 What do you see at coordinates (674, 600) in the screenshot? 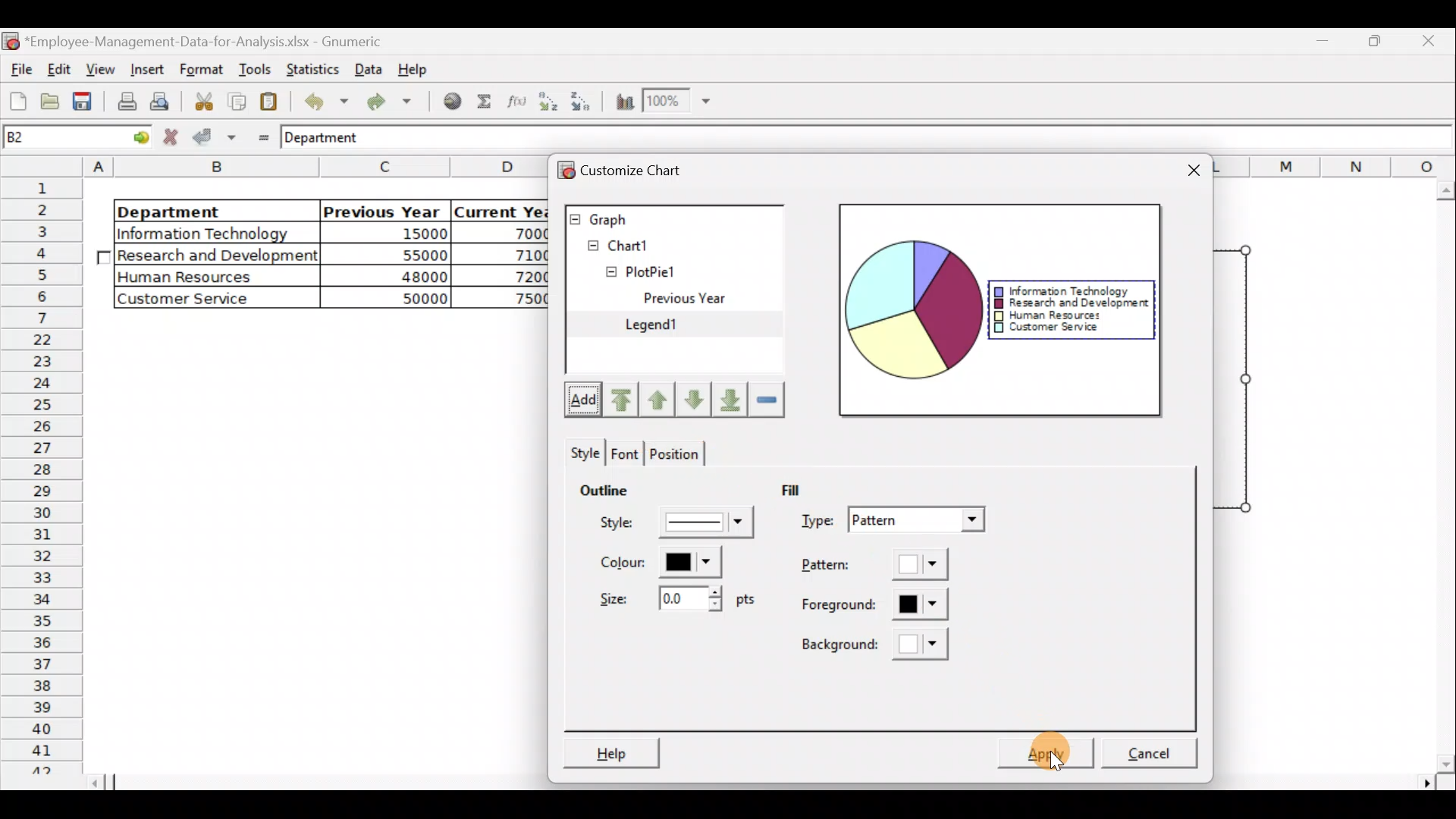
I see `Size` at bounding box center [674, 600].